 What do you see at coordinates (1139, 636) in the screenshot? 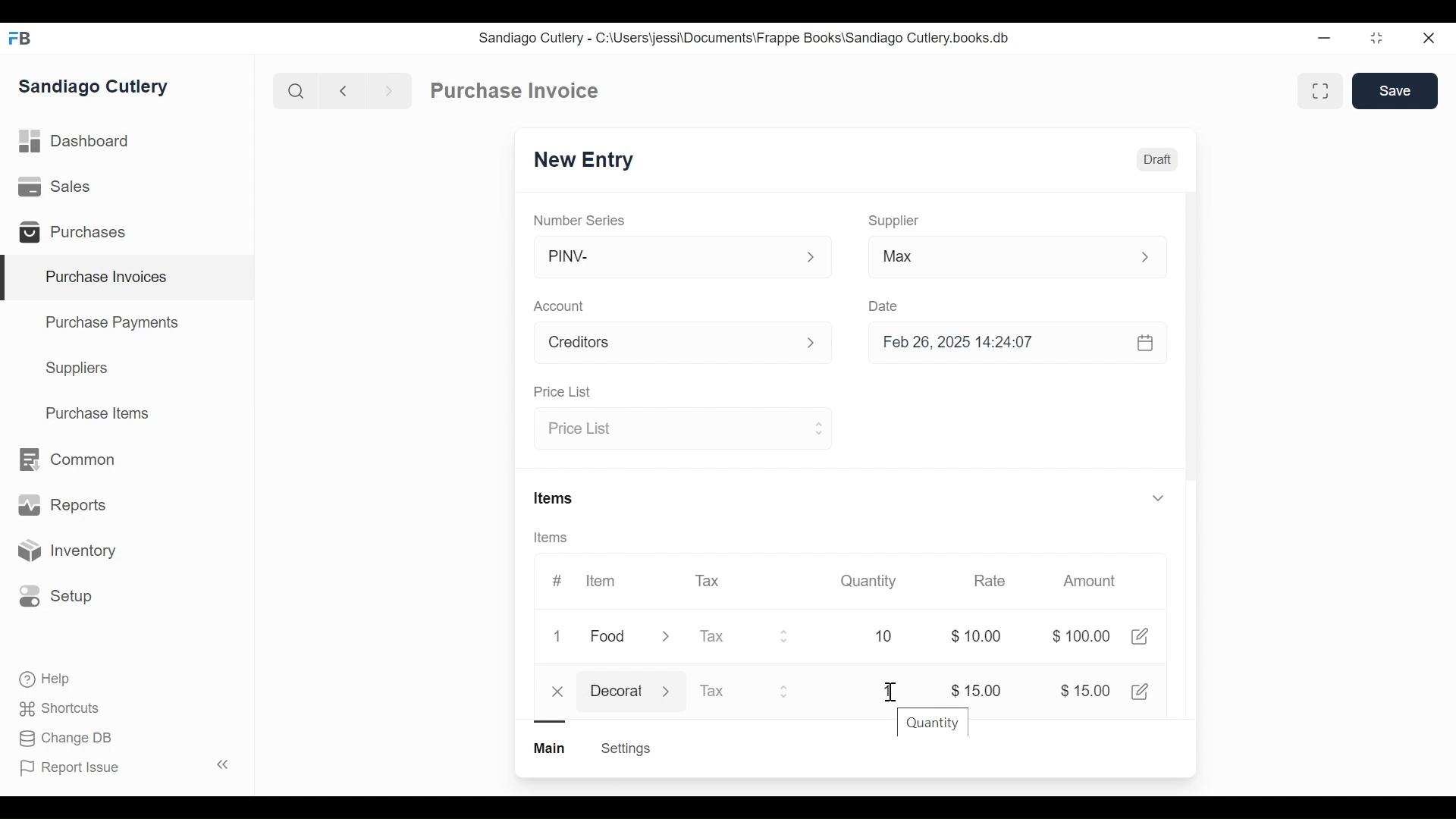
I see `Edit` at bounding box center [1139, 636].